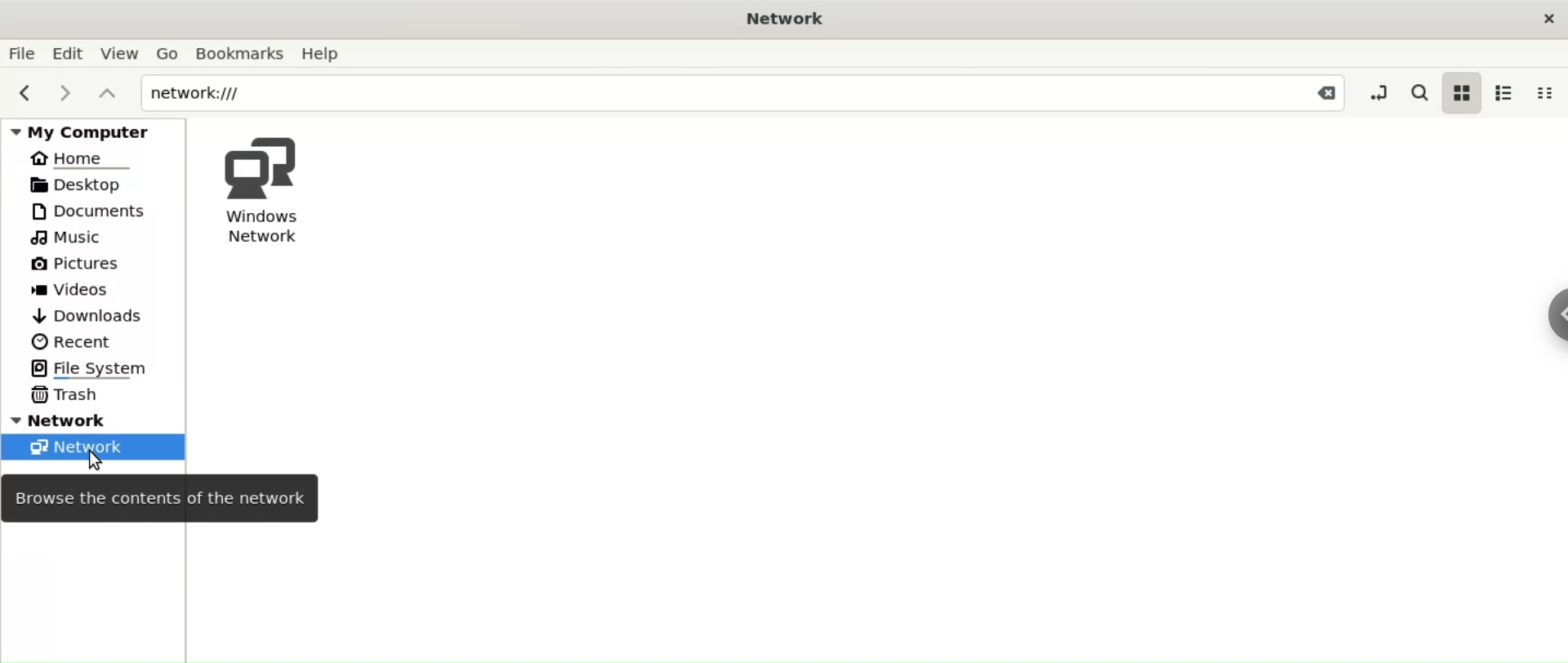 This screenshot has height=663, width=1568. I want to click on Downloads, so click(88, 317).